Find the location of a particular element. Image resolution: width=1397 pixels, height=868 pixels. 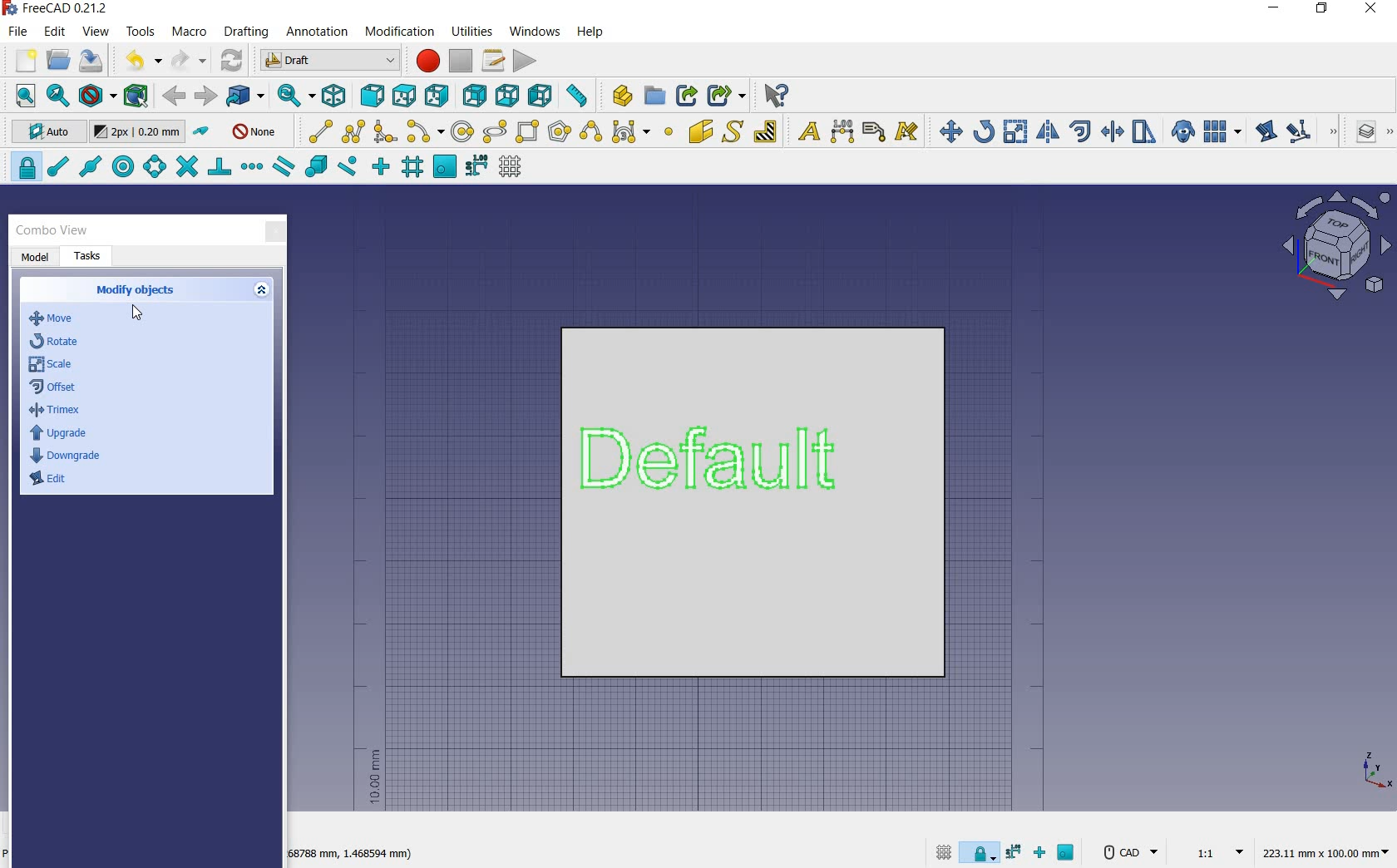

drafting is located at coordinates (247, 32).